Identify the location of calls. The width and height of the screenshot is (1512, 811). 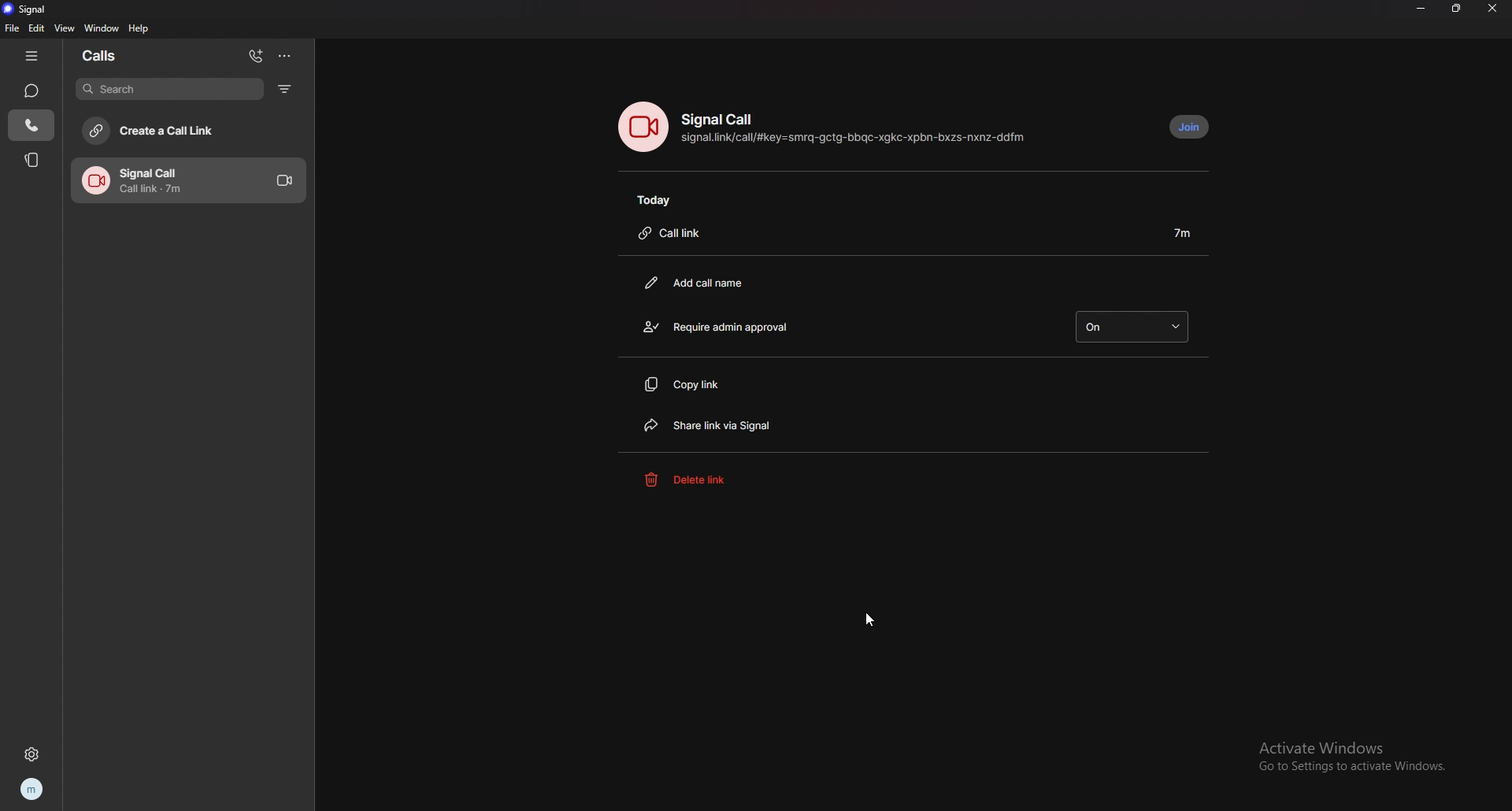
(108, 56).